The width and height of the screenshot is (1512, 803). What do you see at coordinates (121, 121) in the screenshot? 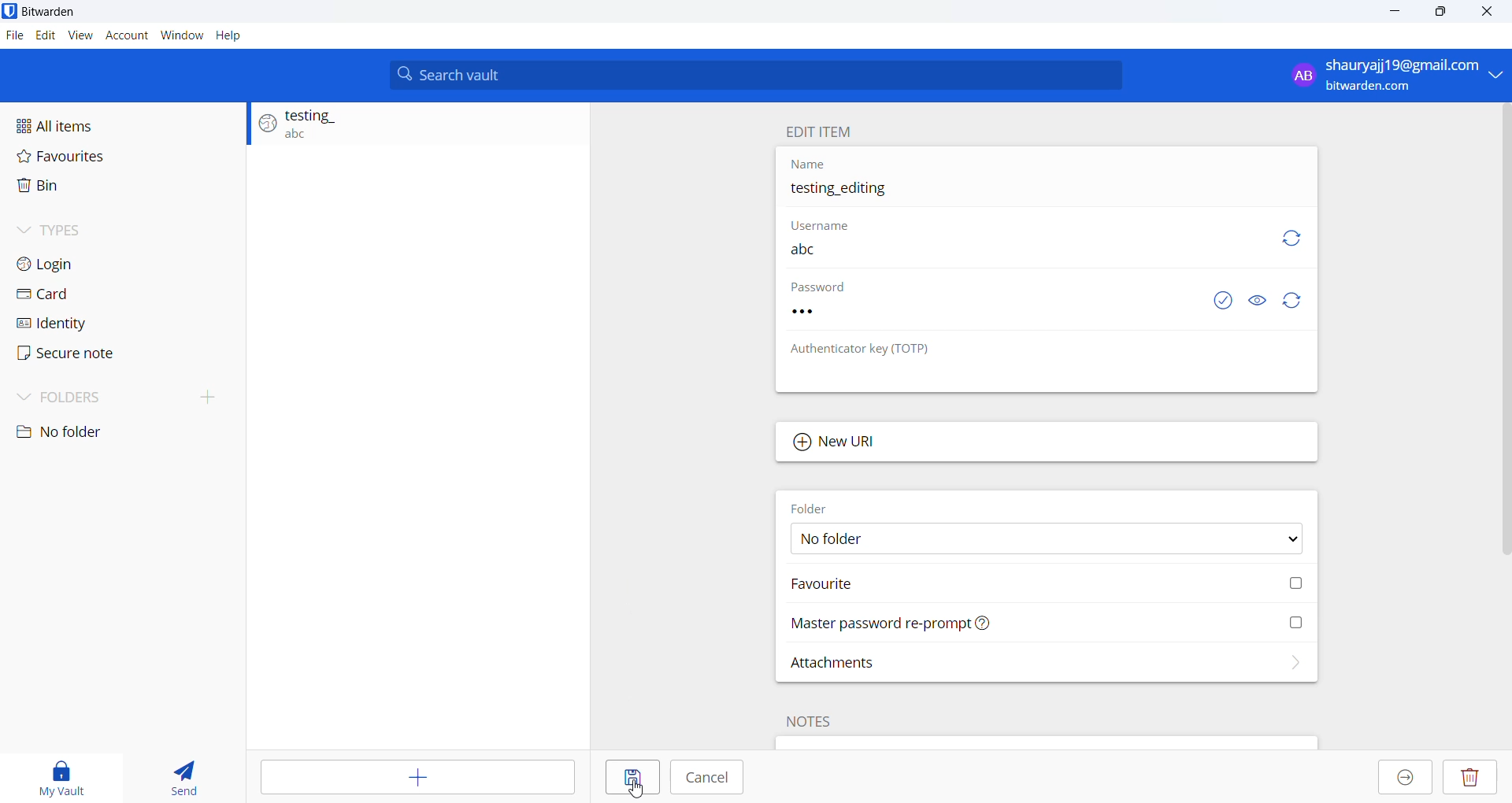
I see `All items` at bounding box center [121, 121].